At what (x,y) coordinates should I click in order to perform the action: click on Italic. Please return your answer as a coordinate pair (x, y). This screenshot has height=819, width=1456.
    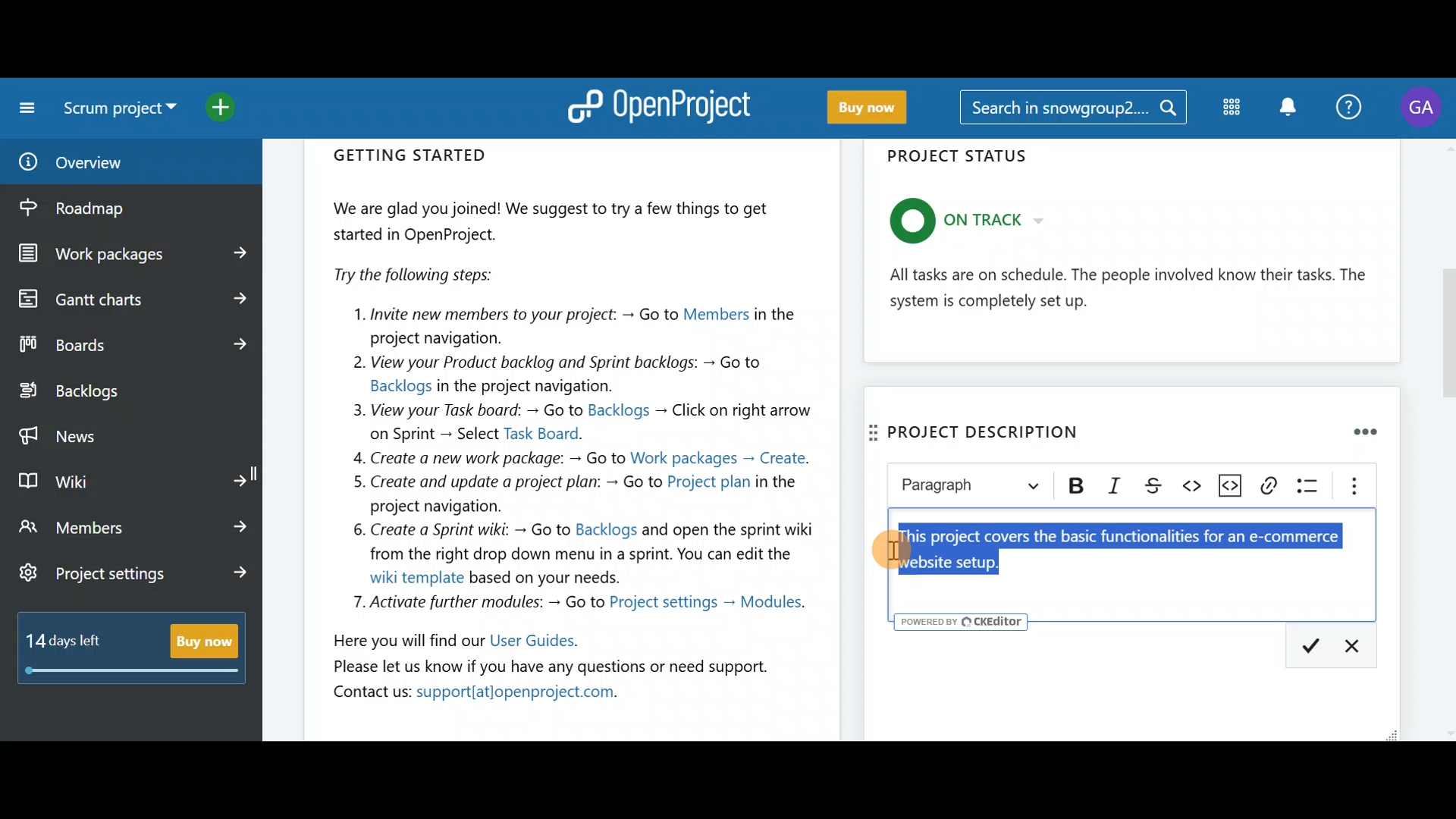
    Looking at the image, I should click on (1116, 484).